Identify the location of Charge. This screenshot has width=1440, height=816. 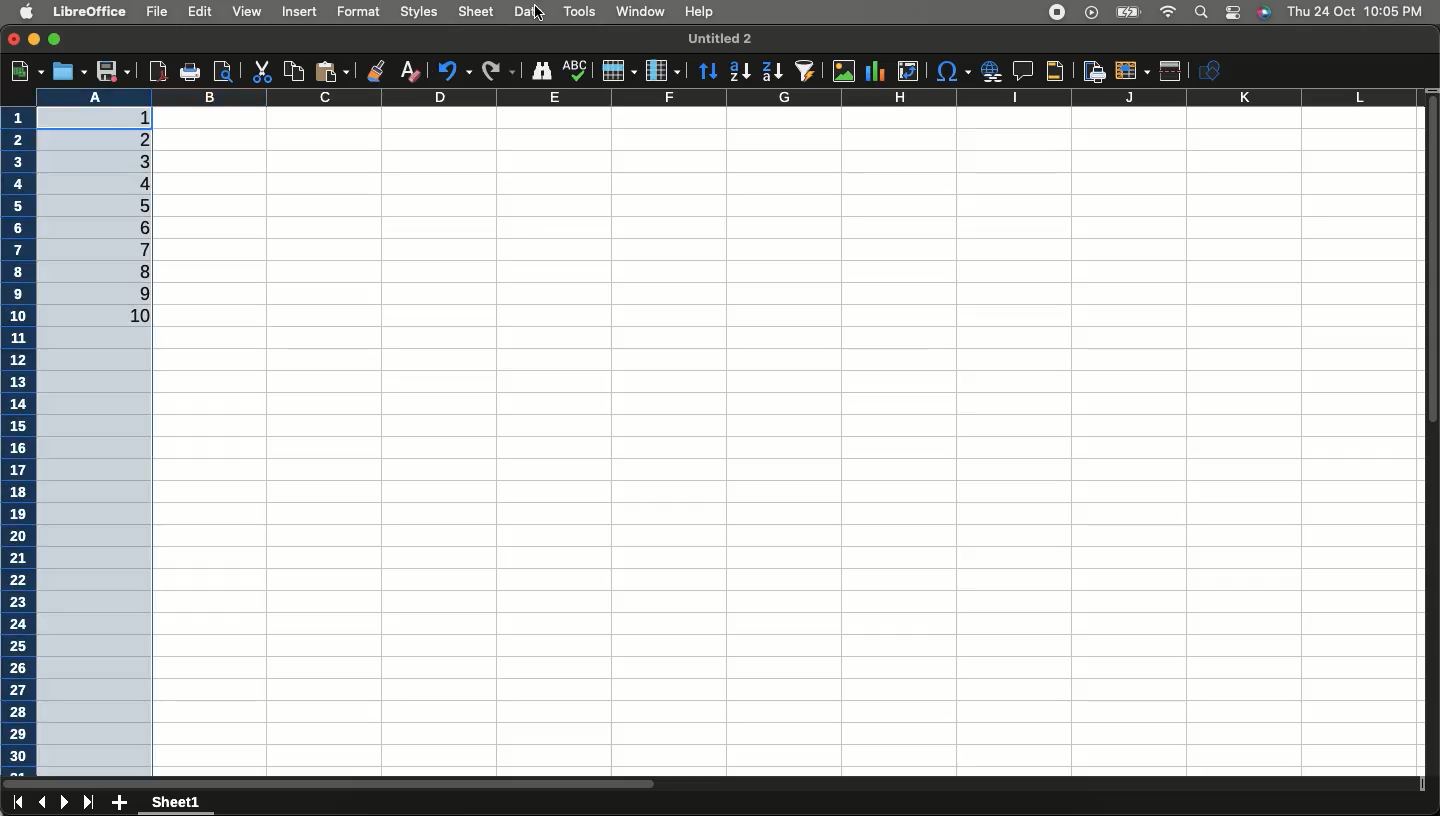
(1125, 13).